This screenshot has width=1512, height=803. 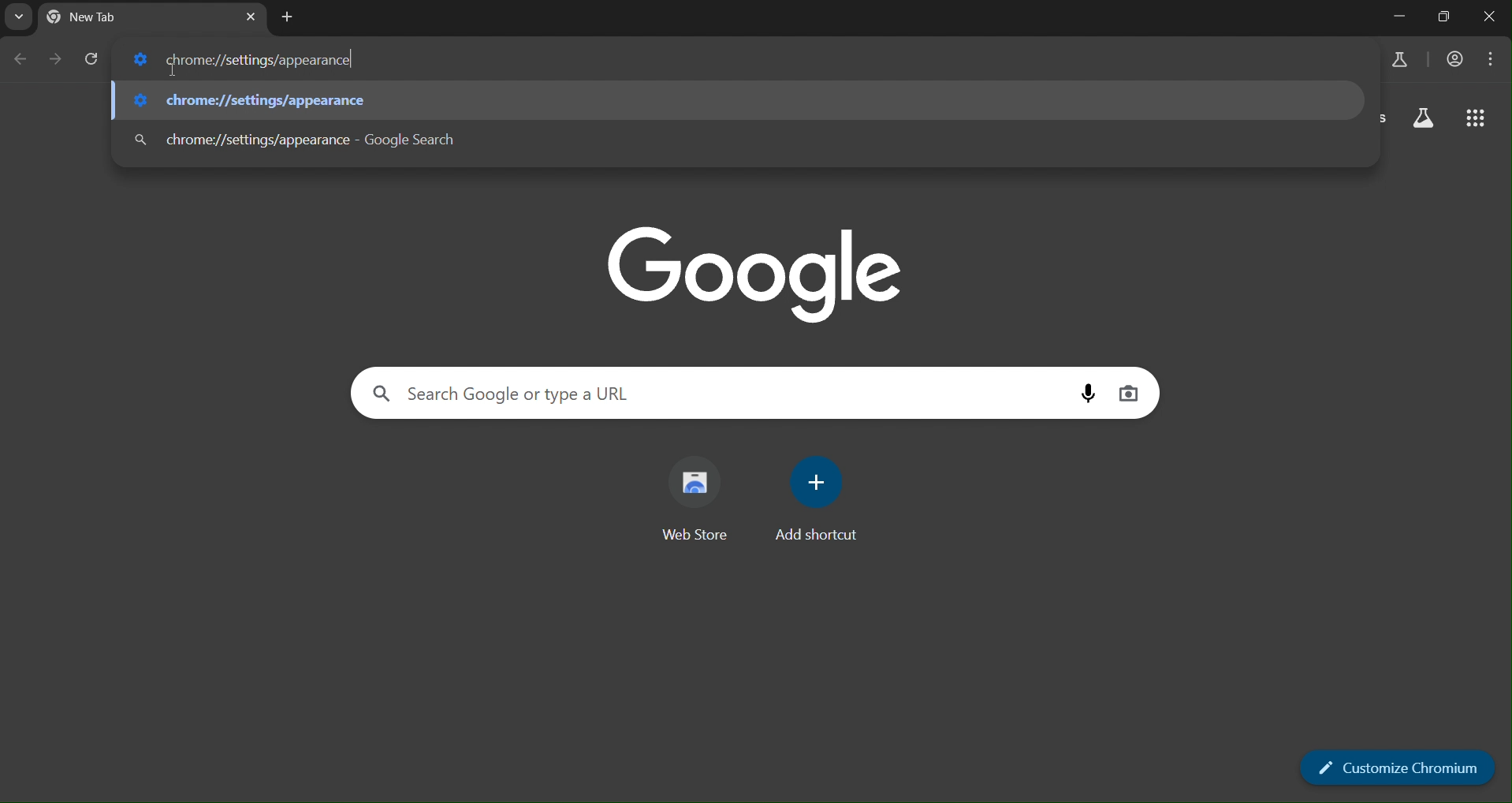 What do you see at coordinates (821, 499) in the screenshot?
I see `add shortcut` at bounding box center [821, 499].